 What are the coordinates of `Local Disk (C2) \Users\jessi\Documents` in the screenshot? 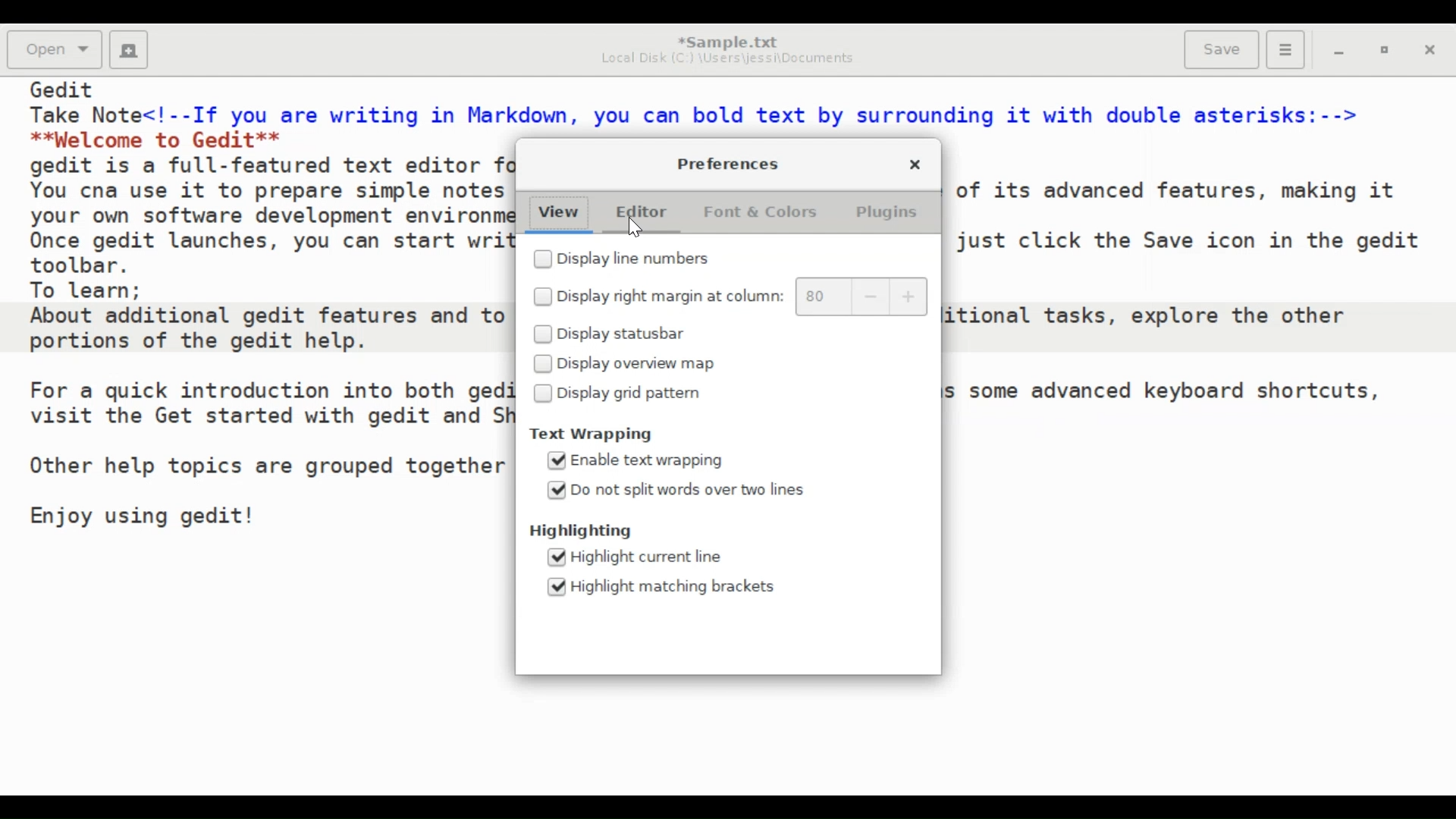 It's located at (725, 58).